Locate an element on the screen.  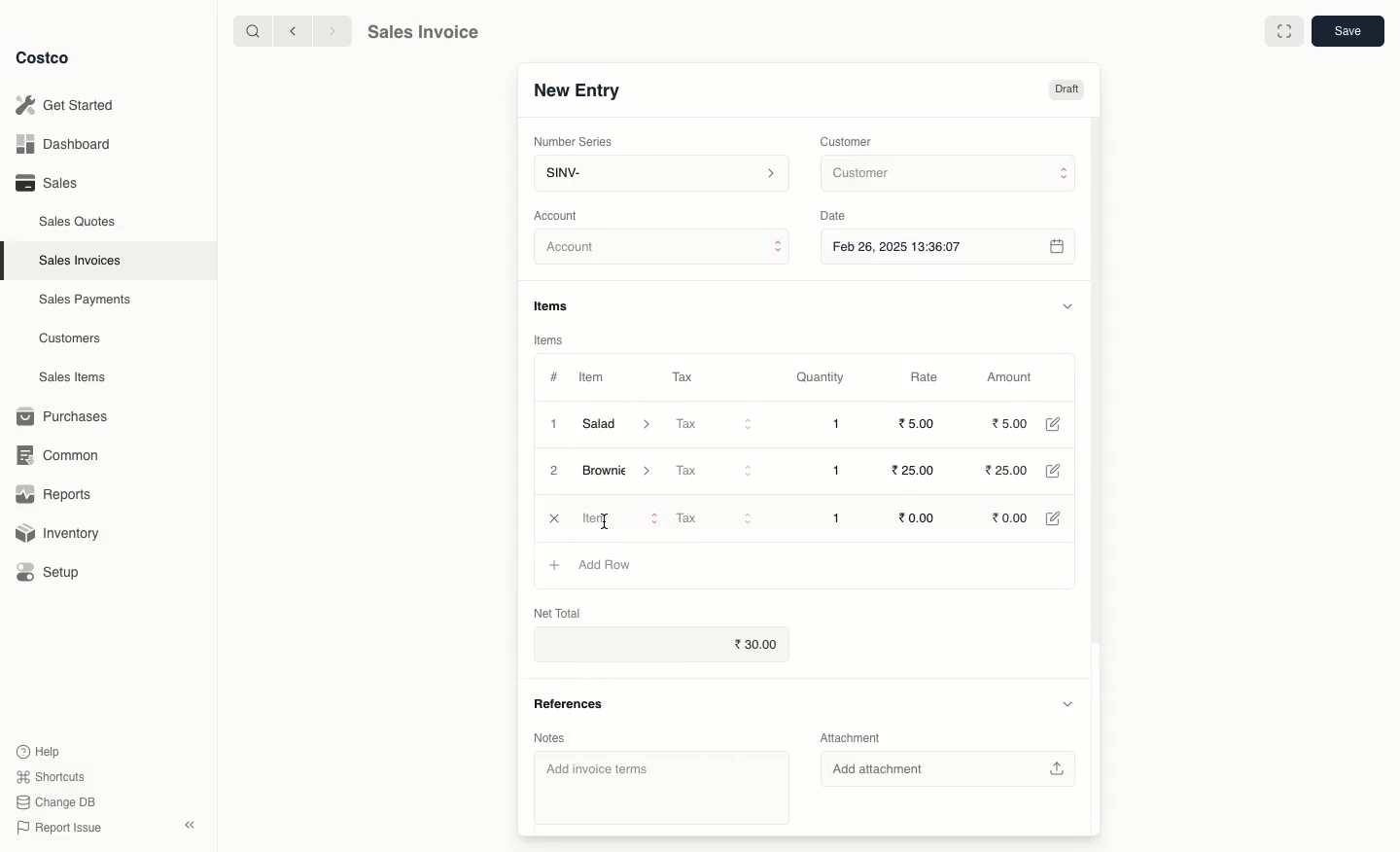
Tax is located at coordinates (682, 373).